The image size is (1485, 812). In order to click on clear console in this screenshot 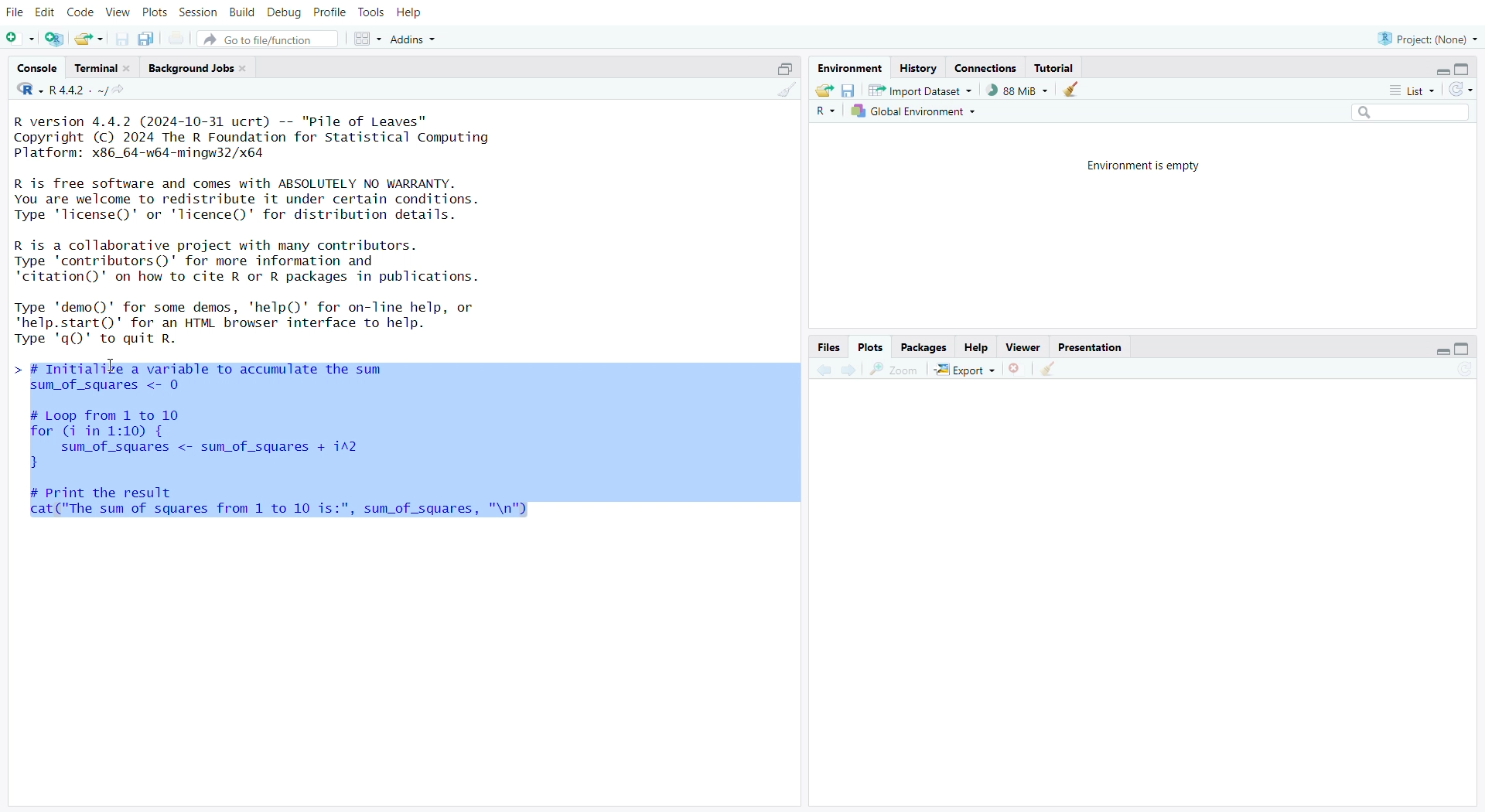, I will do `click(781, 90)`.